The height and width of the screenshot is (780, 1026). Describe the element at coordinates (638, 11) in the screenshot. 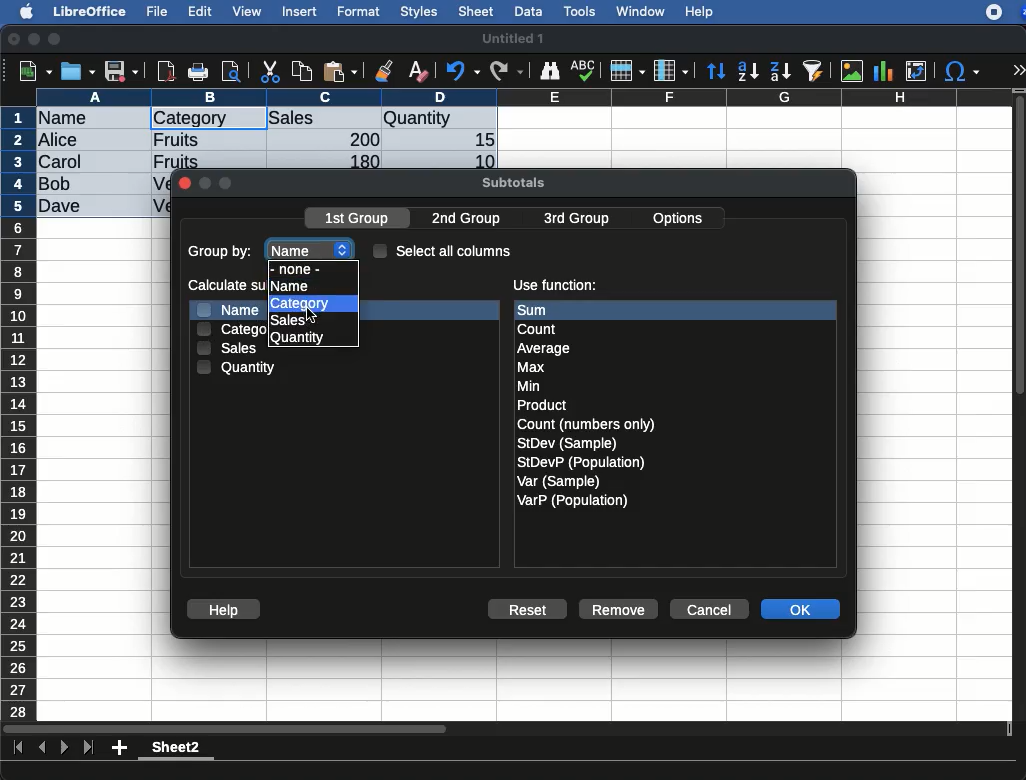

I see `window` at that location.